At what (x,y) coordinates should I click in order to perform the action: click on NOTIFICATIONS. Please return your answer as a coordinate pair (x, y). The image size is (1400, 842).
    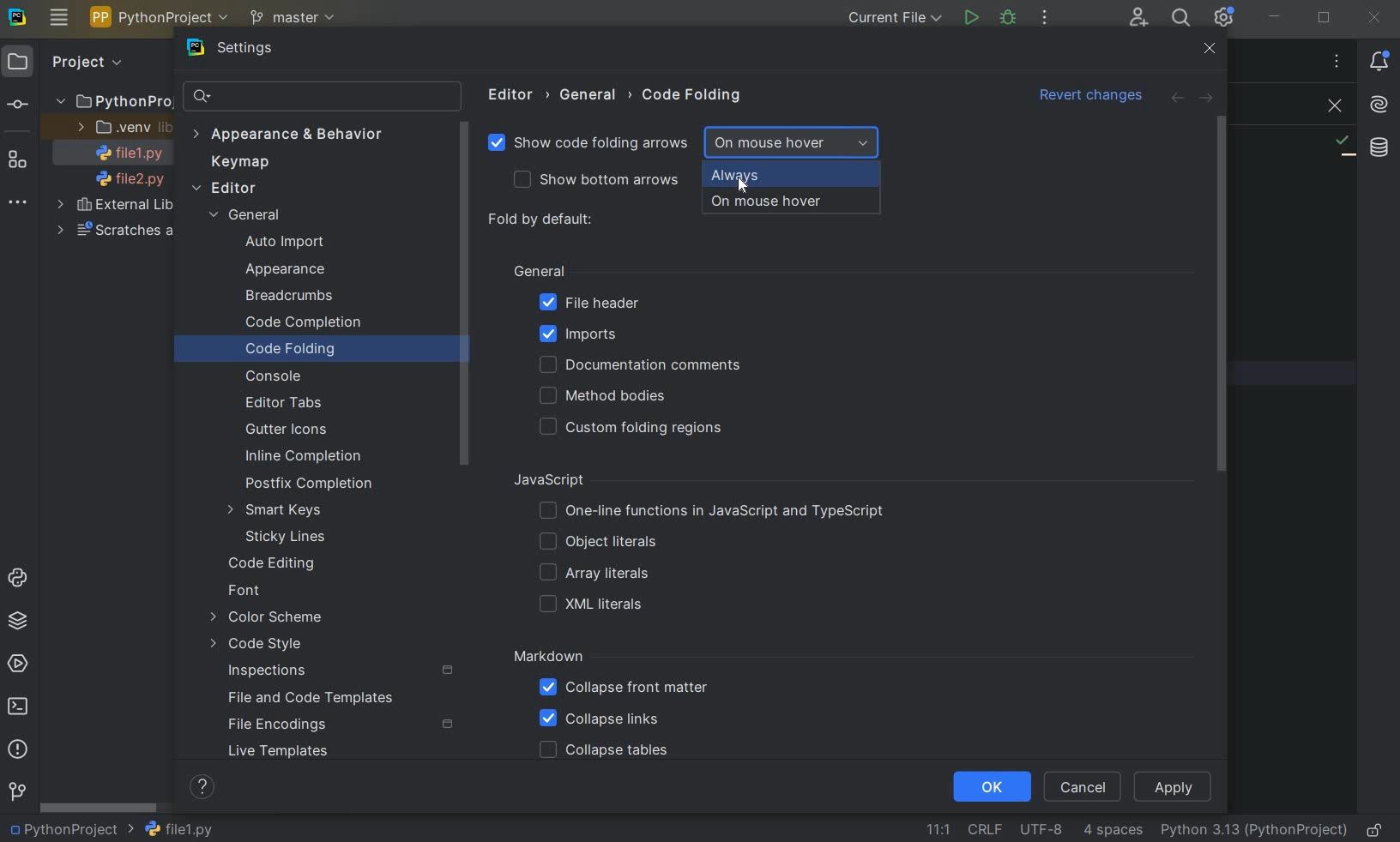
    Looking at the image, I should click on (1379, 62).